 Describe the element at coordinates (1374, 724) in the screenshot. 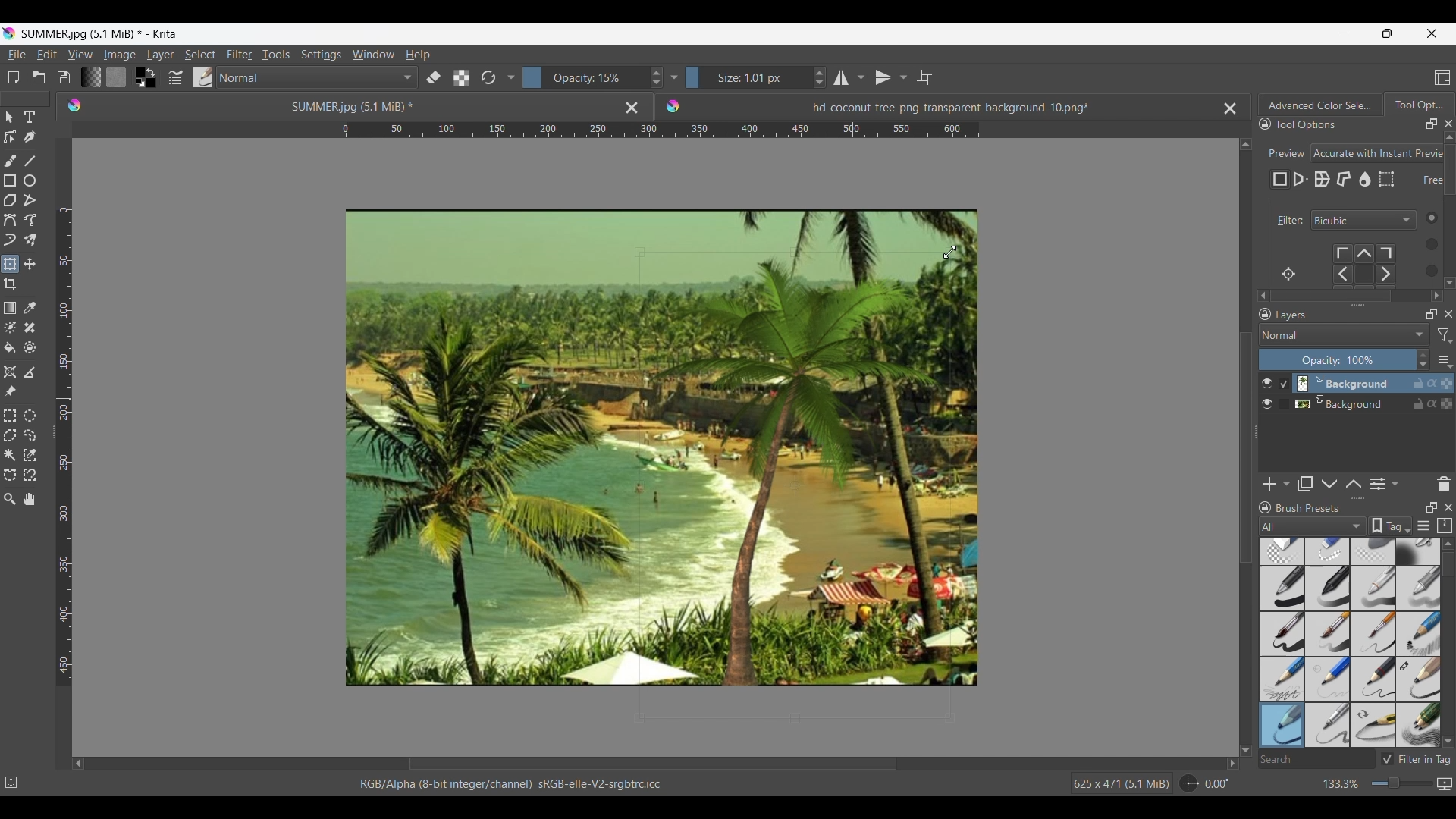

I see `pencil 6 - quick shade` at that location.